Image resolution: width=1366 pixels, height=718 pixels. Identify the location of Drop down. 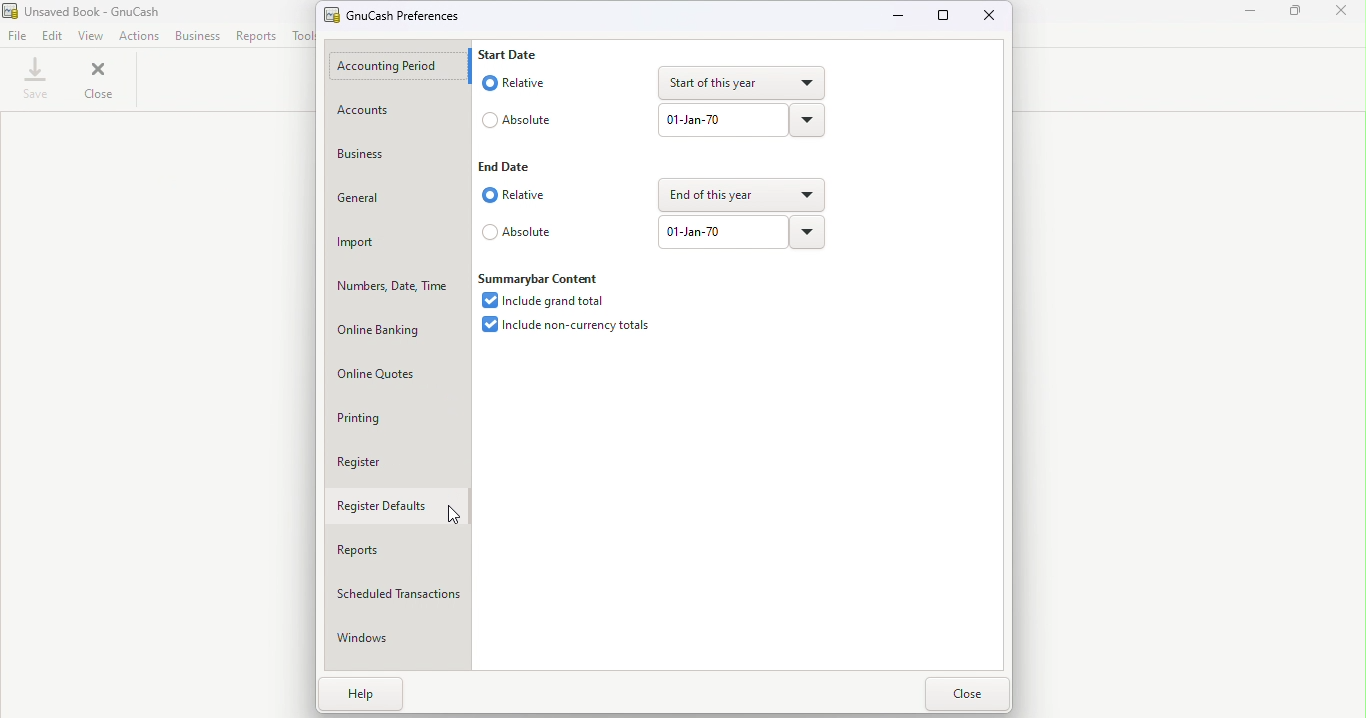
(808, 232).